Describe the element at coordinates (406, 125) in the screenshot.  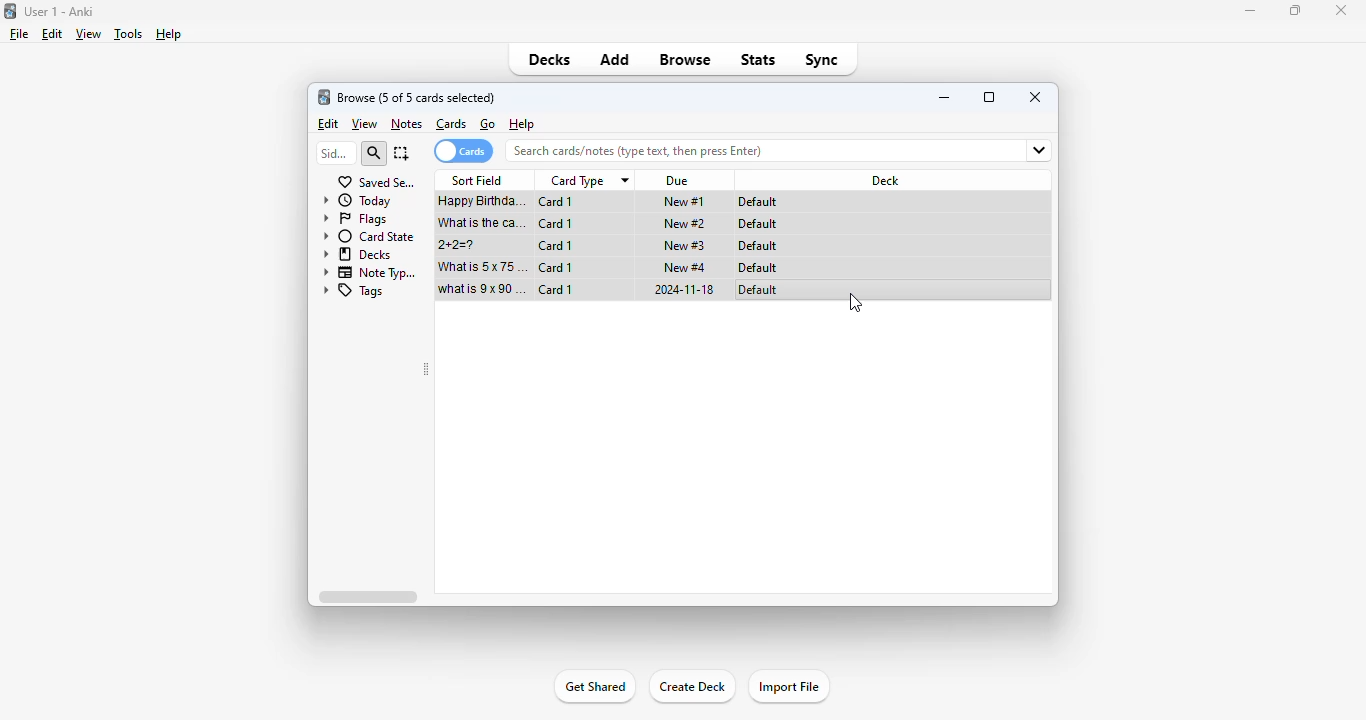
I see `notes` at that location.